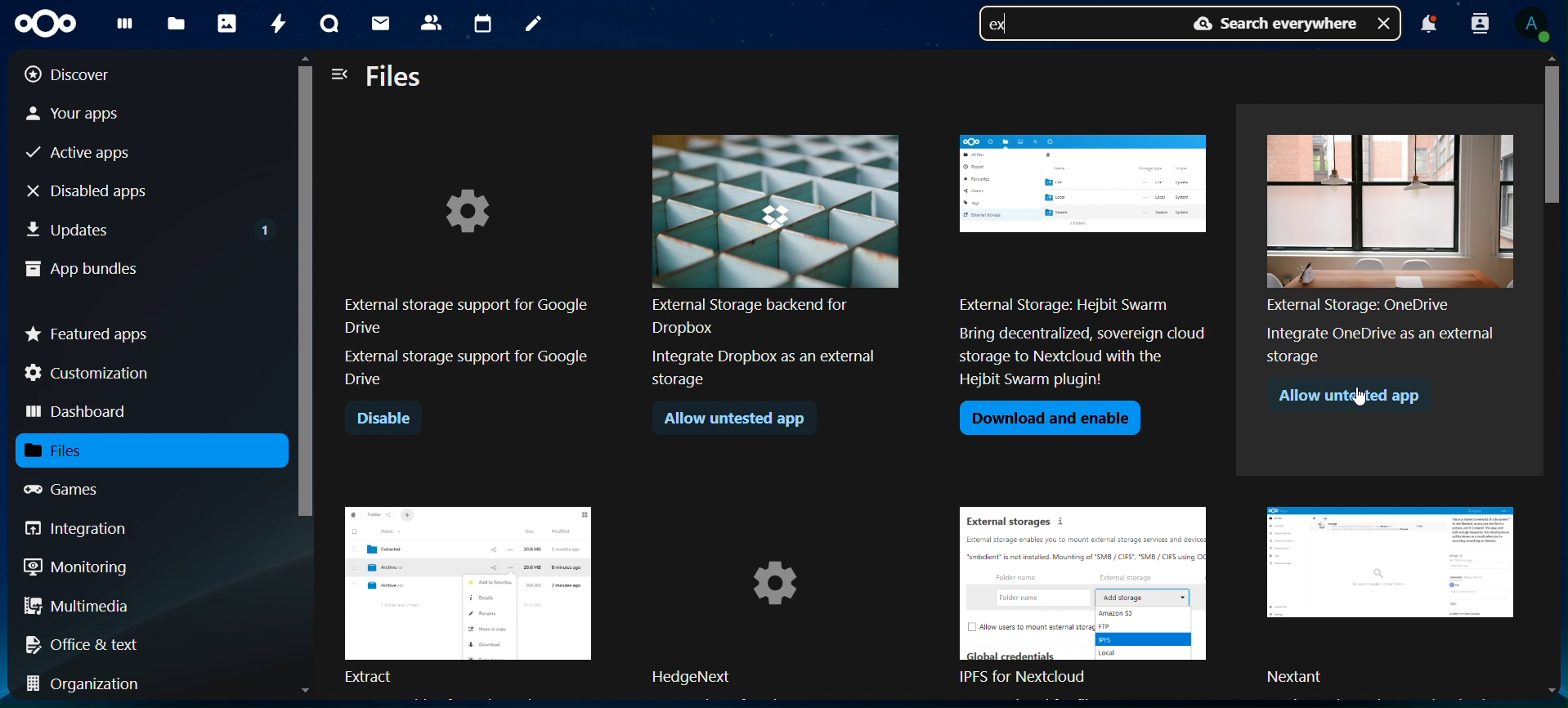  Describe the element at coordinates (468, 593) in the screenshot. I see `extract` at that location.